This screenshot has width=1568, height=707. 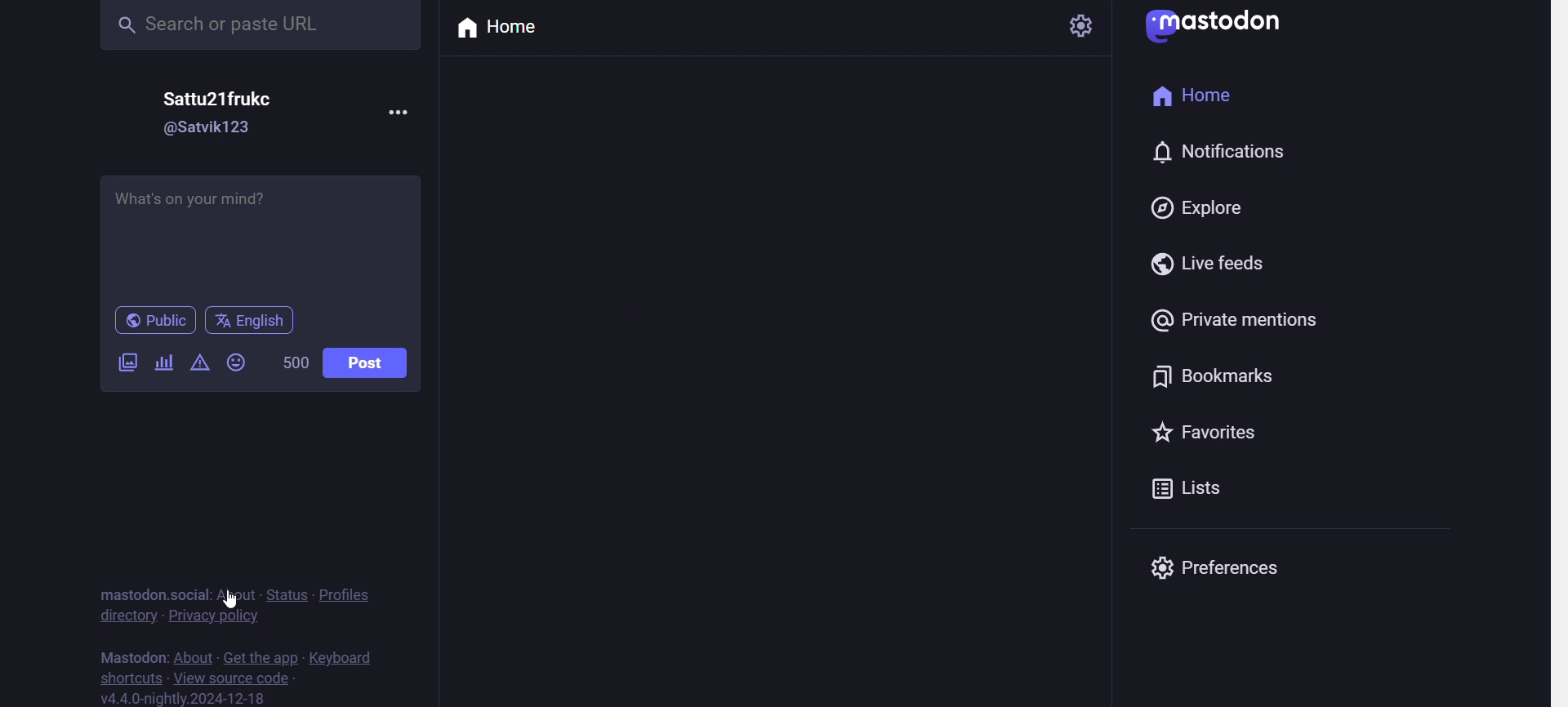 What do you see at coordinates (214, 616) in the screenshot?
I see `privacy policy` at bounding box center [214, 616].